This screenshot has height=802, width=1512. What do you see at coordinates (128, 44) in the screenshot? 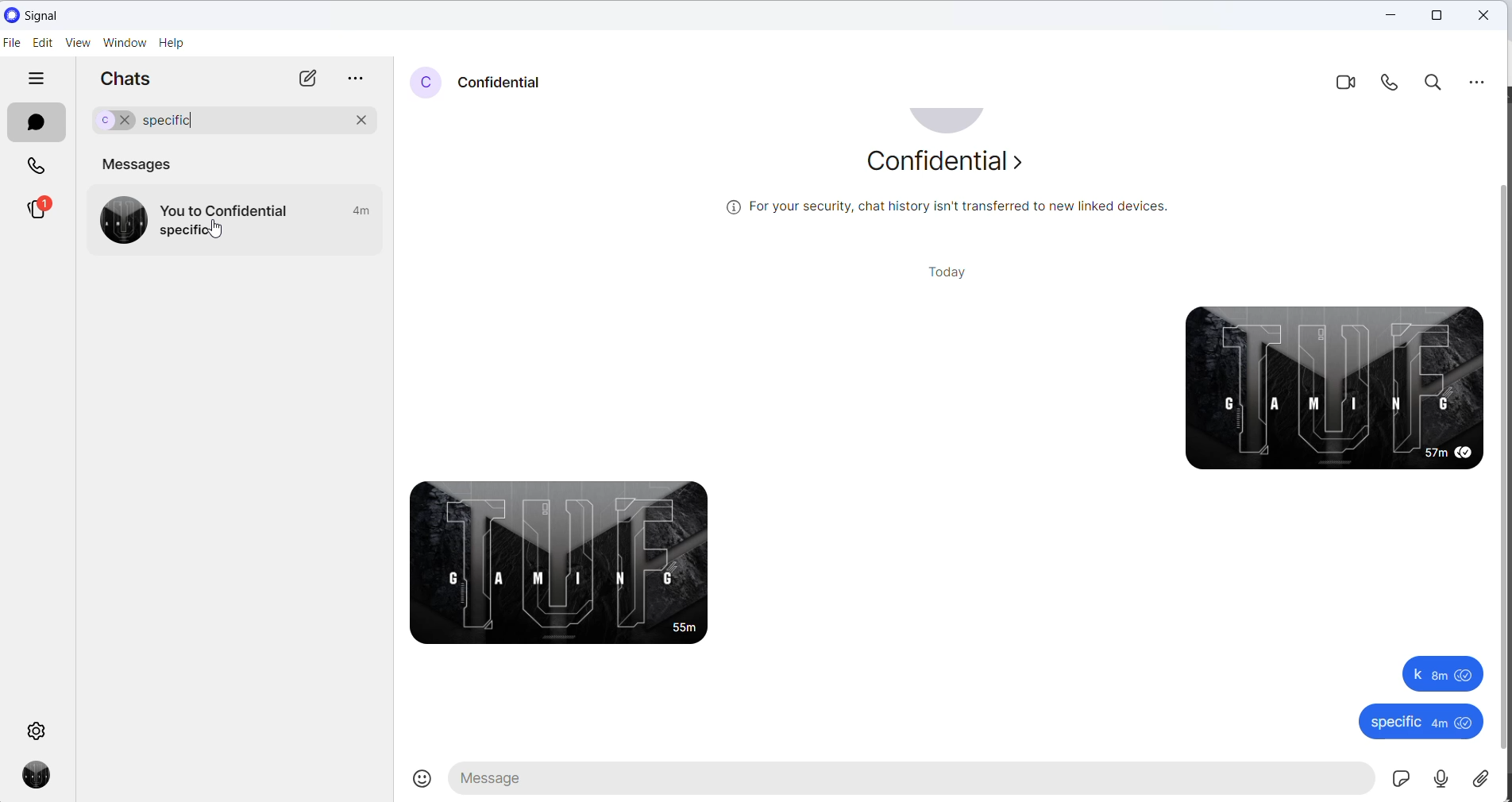
I see `window` at bounding box center [128, 44].